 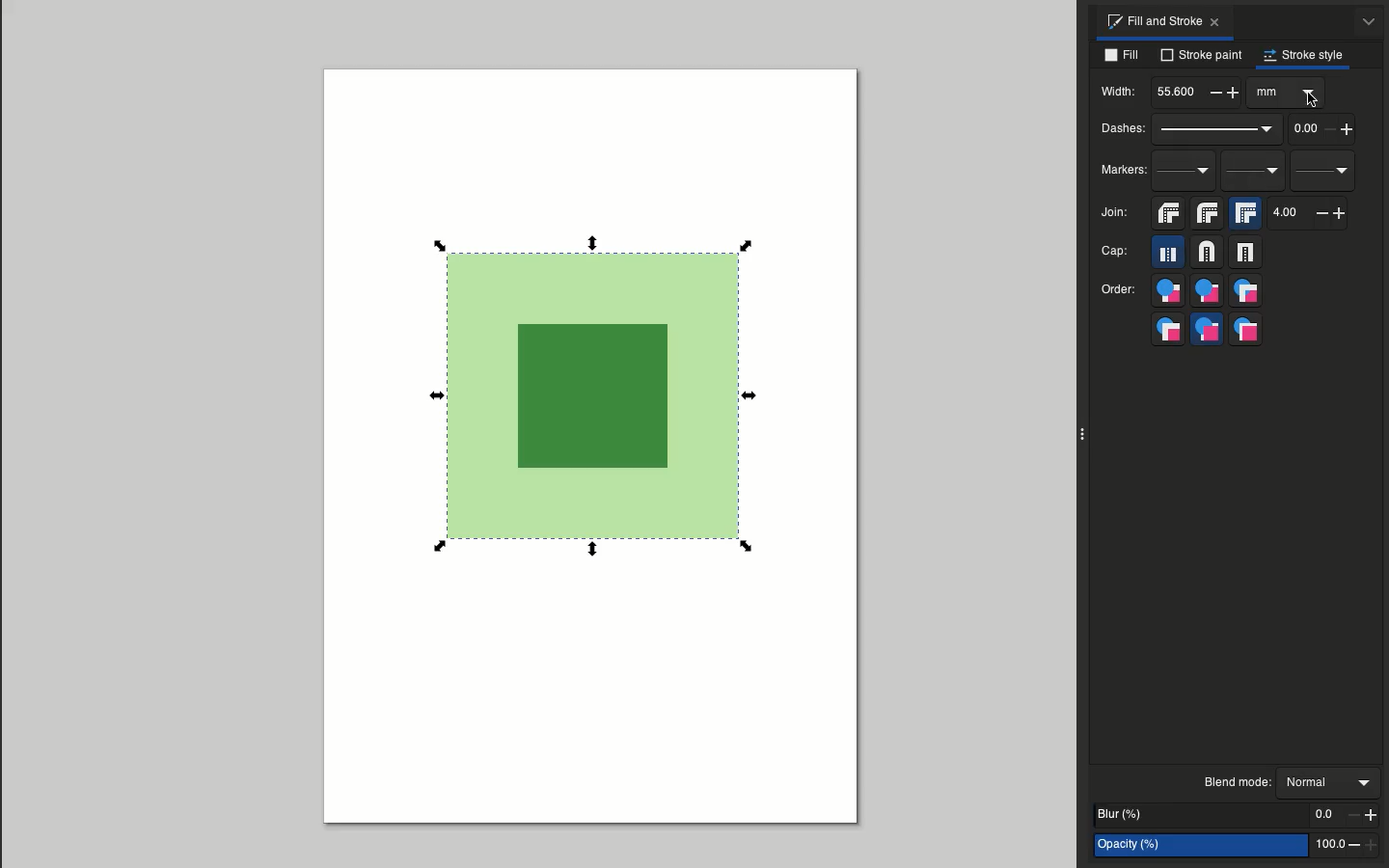 I want to click on Normal, so click(x=1327, y=782).